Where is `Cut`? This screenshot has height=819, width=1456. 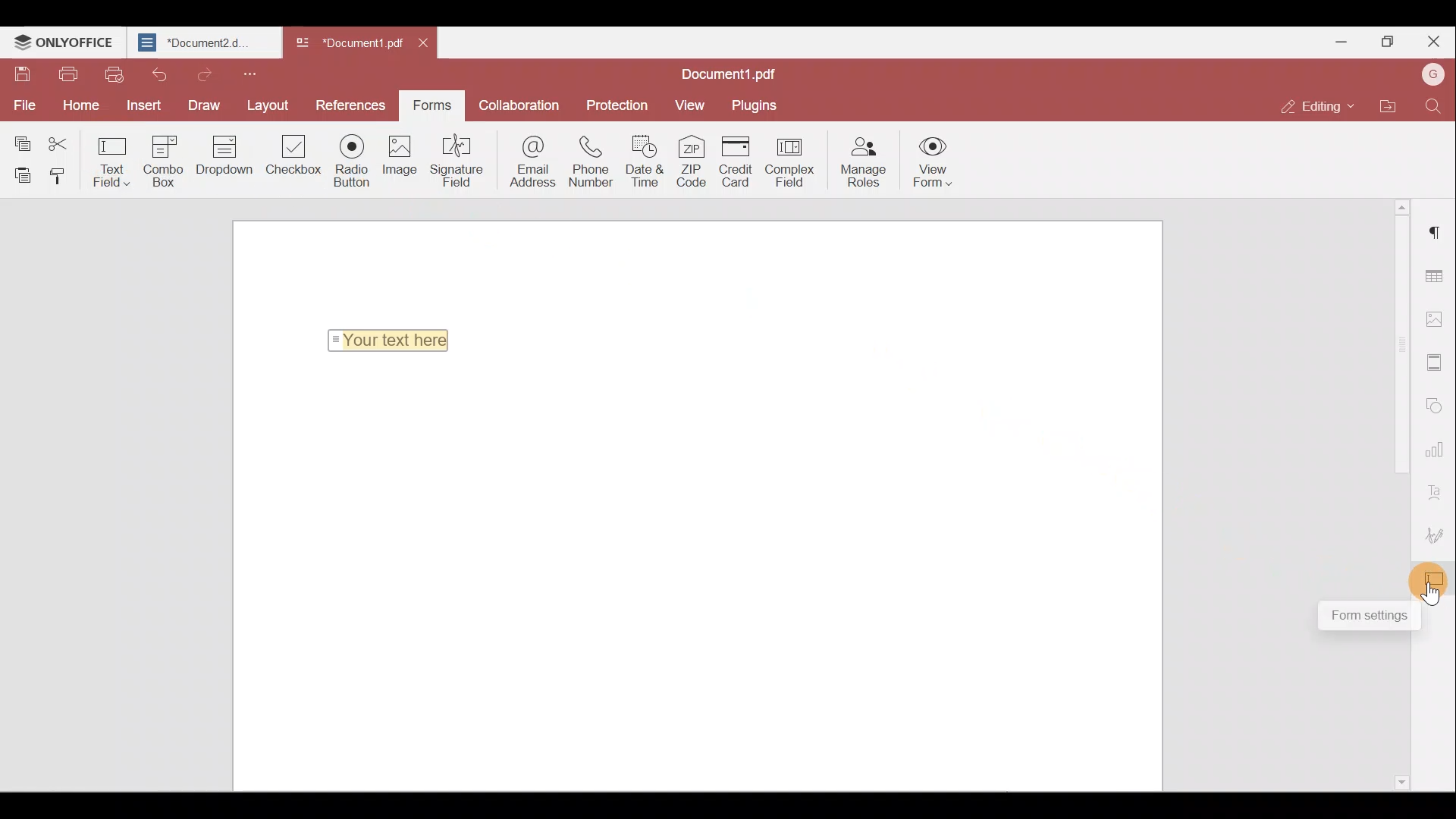 Cut is located at coordinates (64, 140).